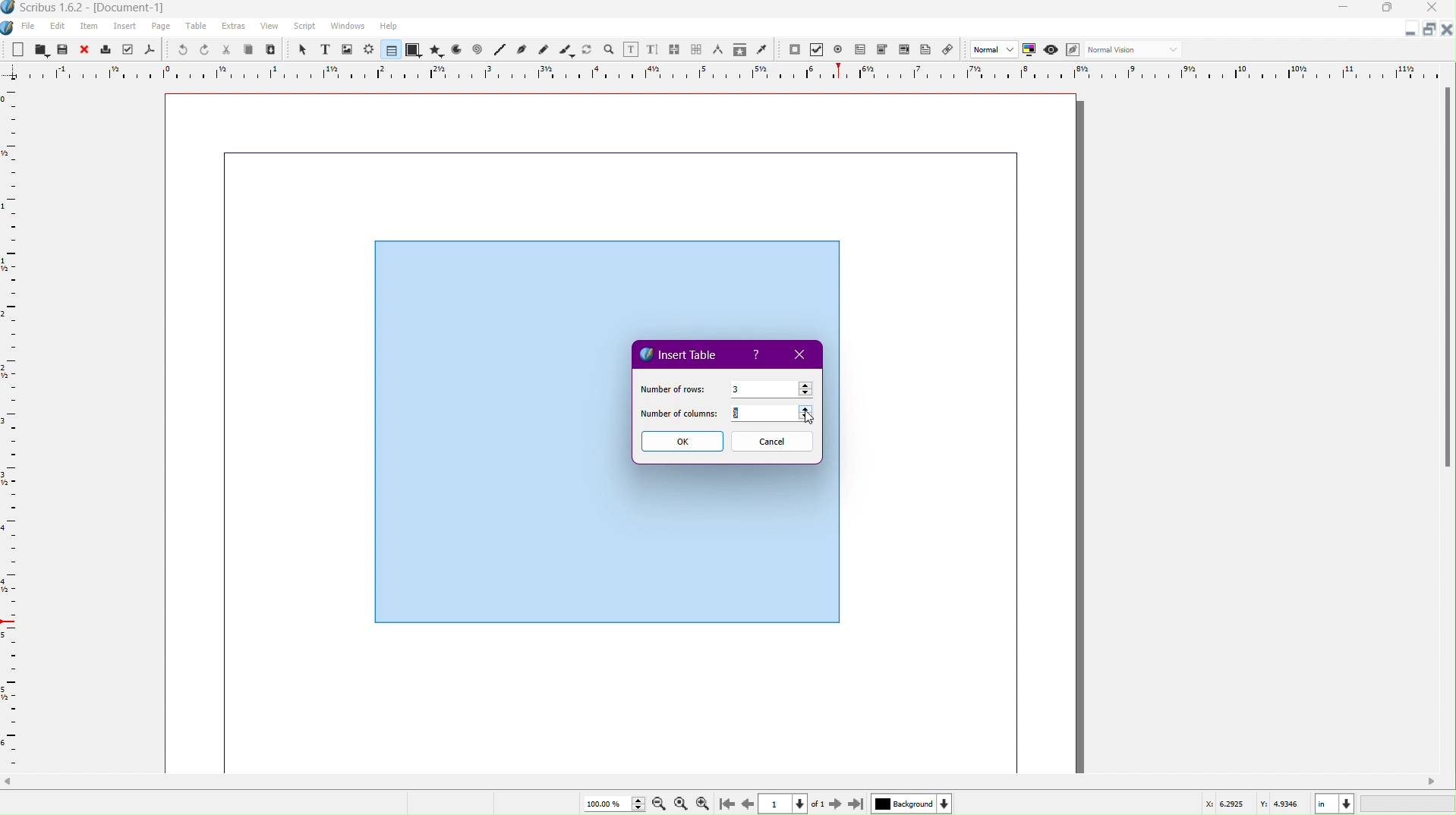 This screenshot has width=1456, height=815. What do you see at coordinates (86, 49) in the screenshot?
I see `Close` at bounding box center [86, 49].